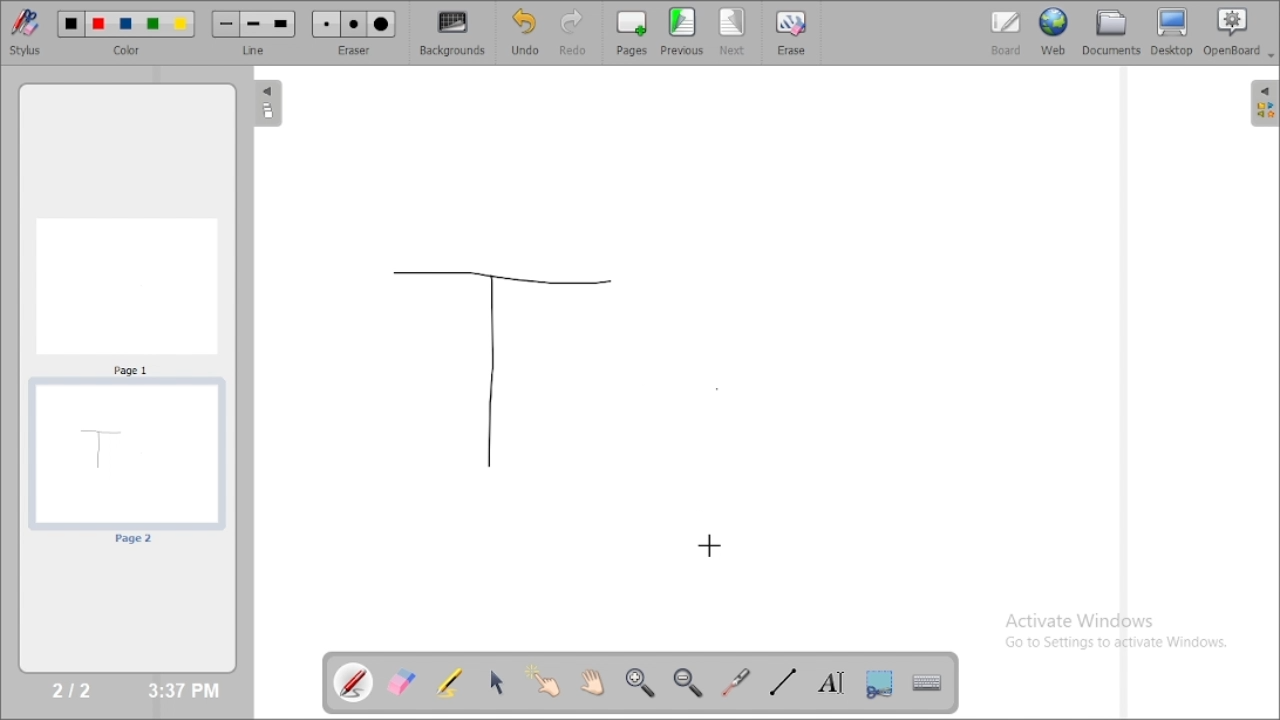 The width and height of the screenshot is (1280, 720). I want to click on openboard, so click(1239, 33).